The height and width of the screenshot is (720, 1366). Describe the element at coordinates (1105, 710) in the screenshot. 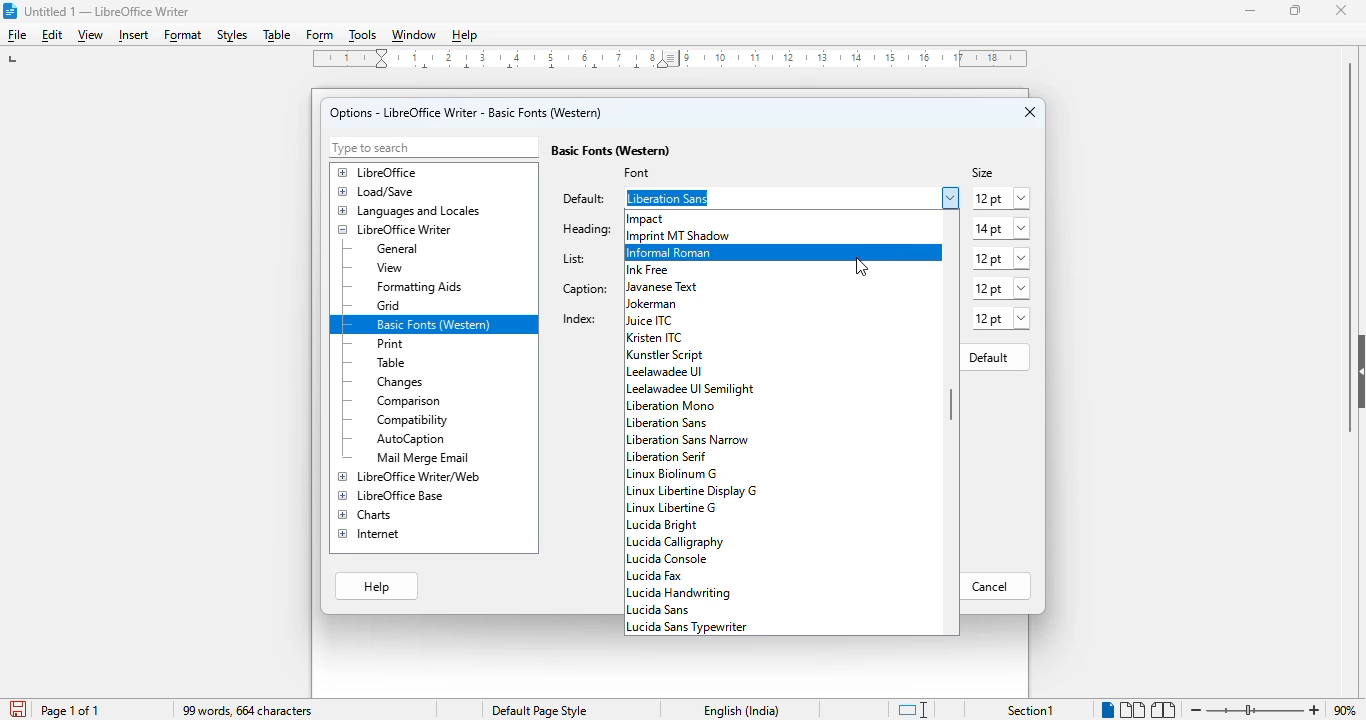

I see `single page view` at that location.